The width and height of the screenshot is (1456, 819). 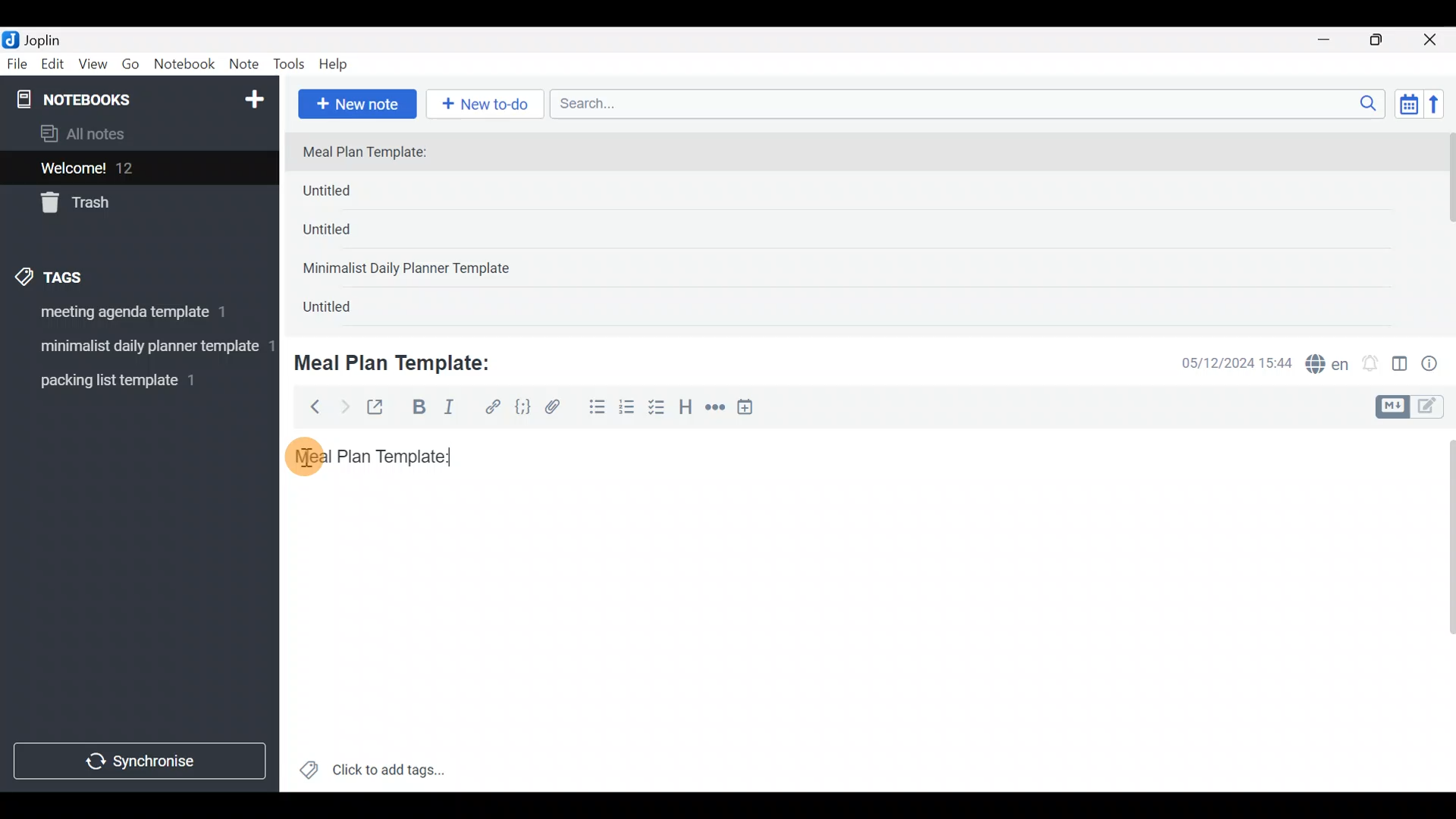 What do you see at coordinates (971, 102) in the screenshot?
I see `Search bar` at bounding box center [971, 102].